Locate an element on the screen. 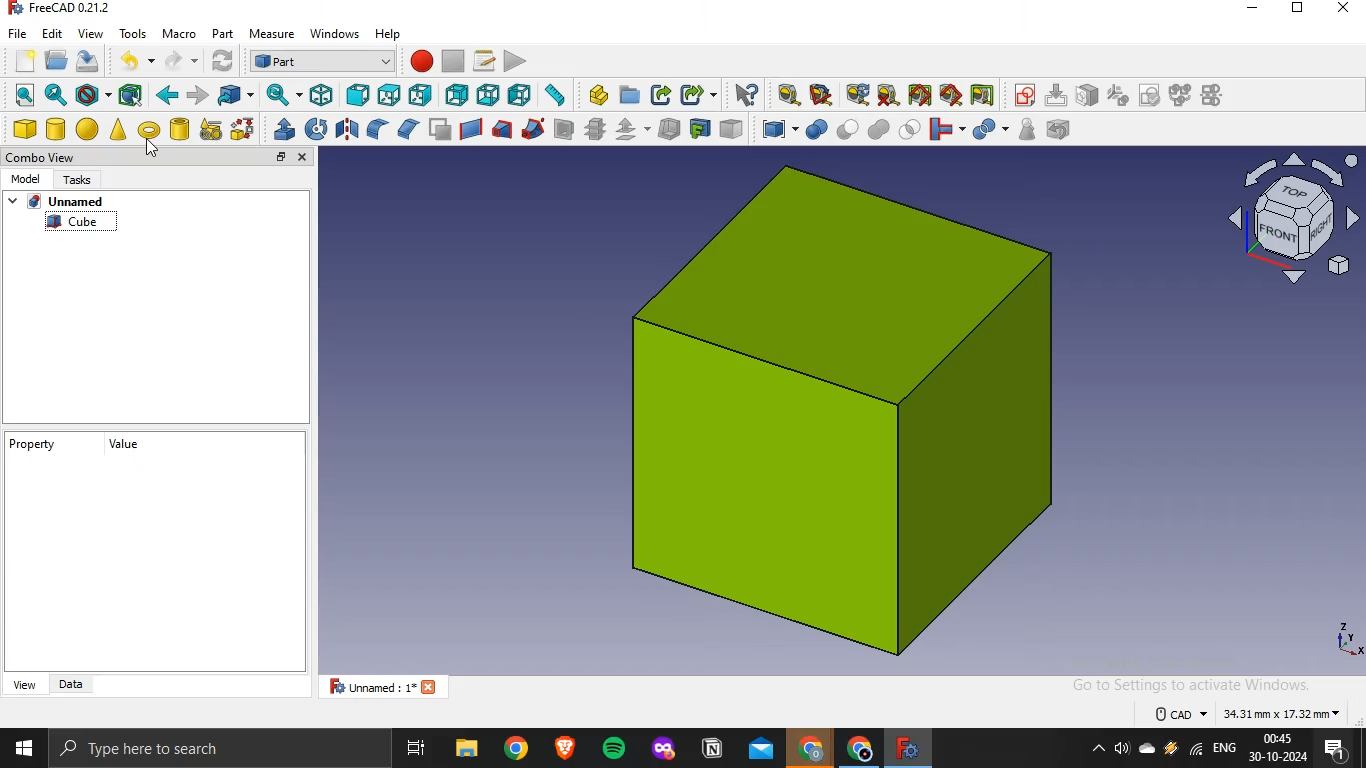 Image resolution: width=1366 pixels, height=768 pixels. create part is located at coordinates (596, 94).